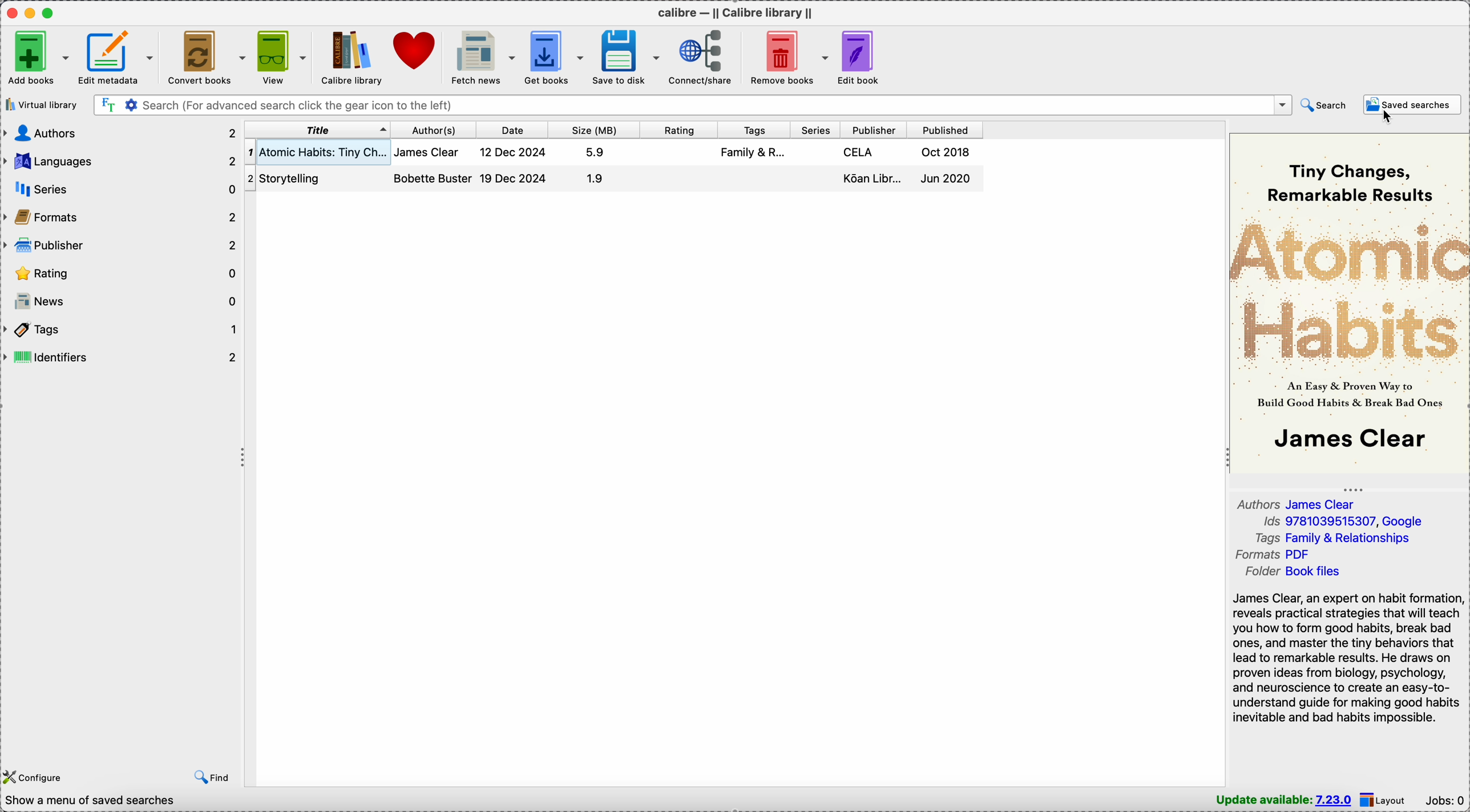  I want to click on fetch news, so click(479, 56).